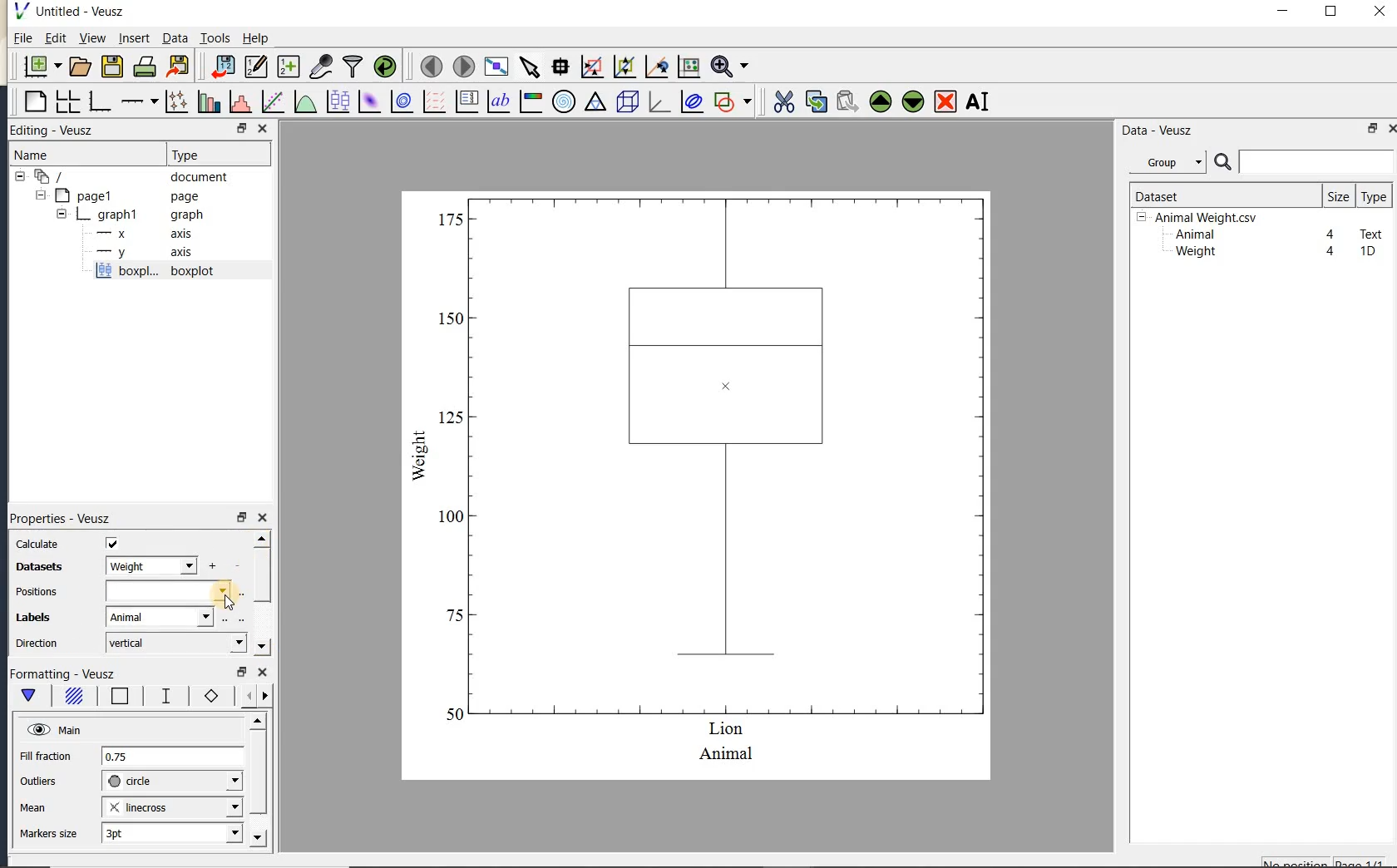 The height and width of the screenshot is (868, 1397). What do you see at coordinates (172, 782) in the screenshot?
I see `circle` at bounding box center [172, 782].